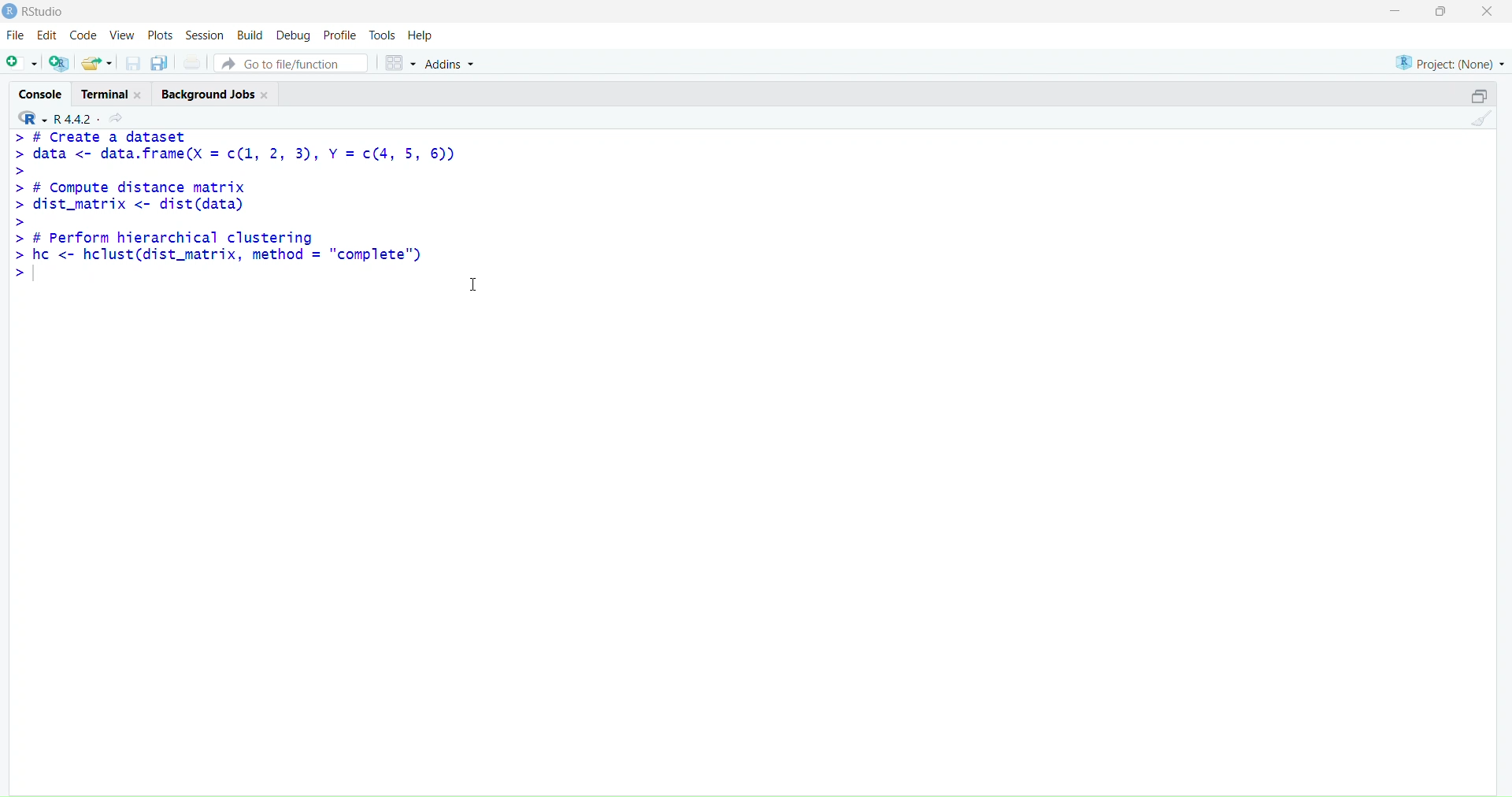 This screenshot has width=1512, height=797. I want to click on Close, so click(1487, 16).